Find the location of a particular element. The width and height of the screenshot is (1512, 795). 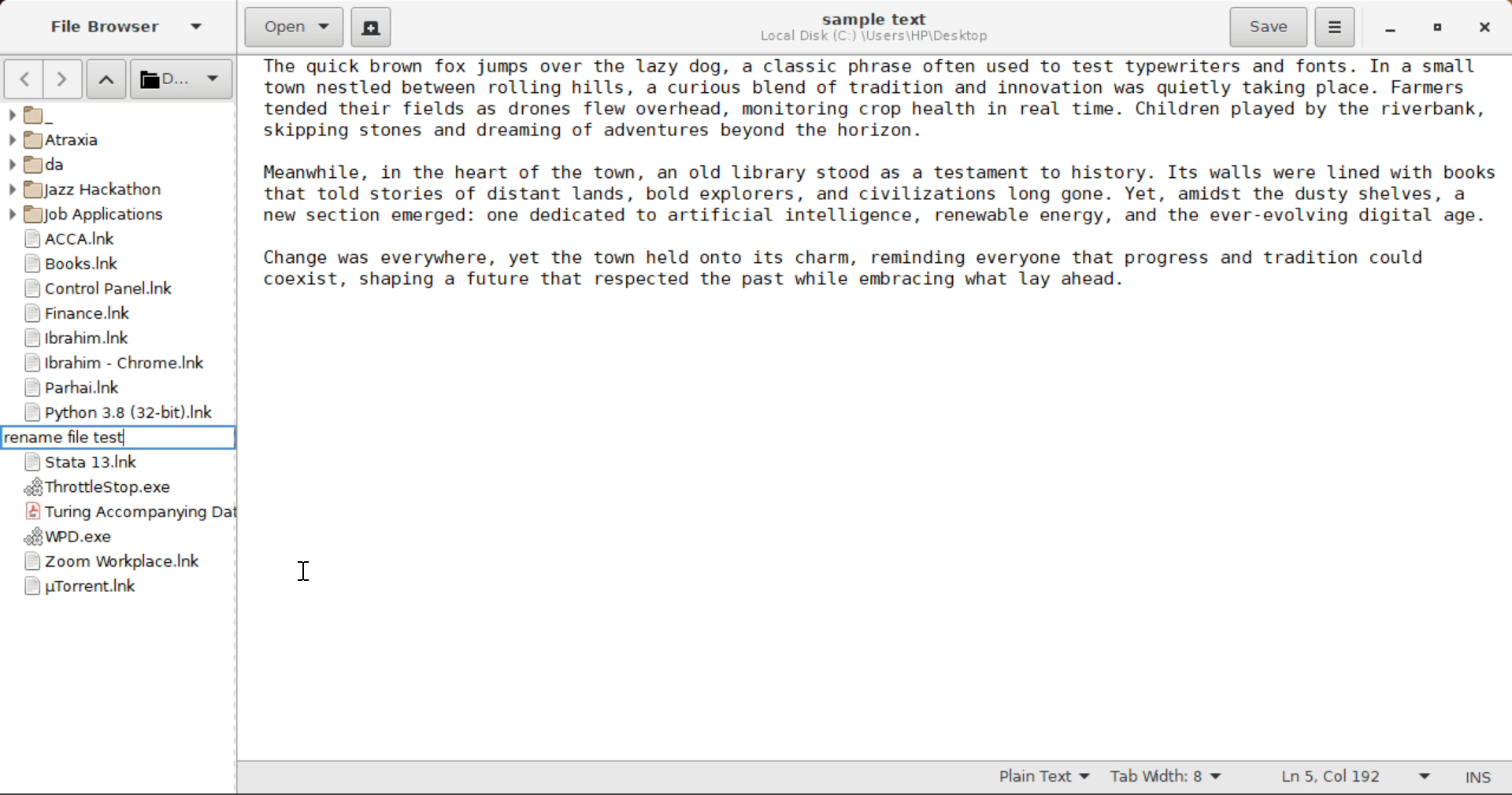

Parhai Folder Shortcut Link is located at coordinates (113, 389).